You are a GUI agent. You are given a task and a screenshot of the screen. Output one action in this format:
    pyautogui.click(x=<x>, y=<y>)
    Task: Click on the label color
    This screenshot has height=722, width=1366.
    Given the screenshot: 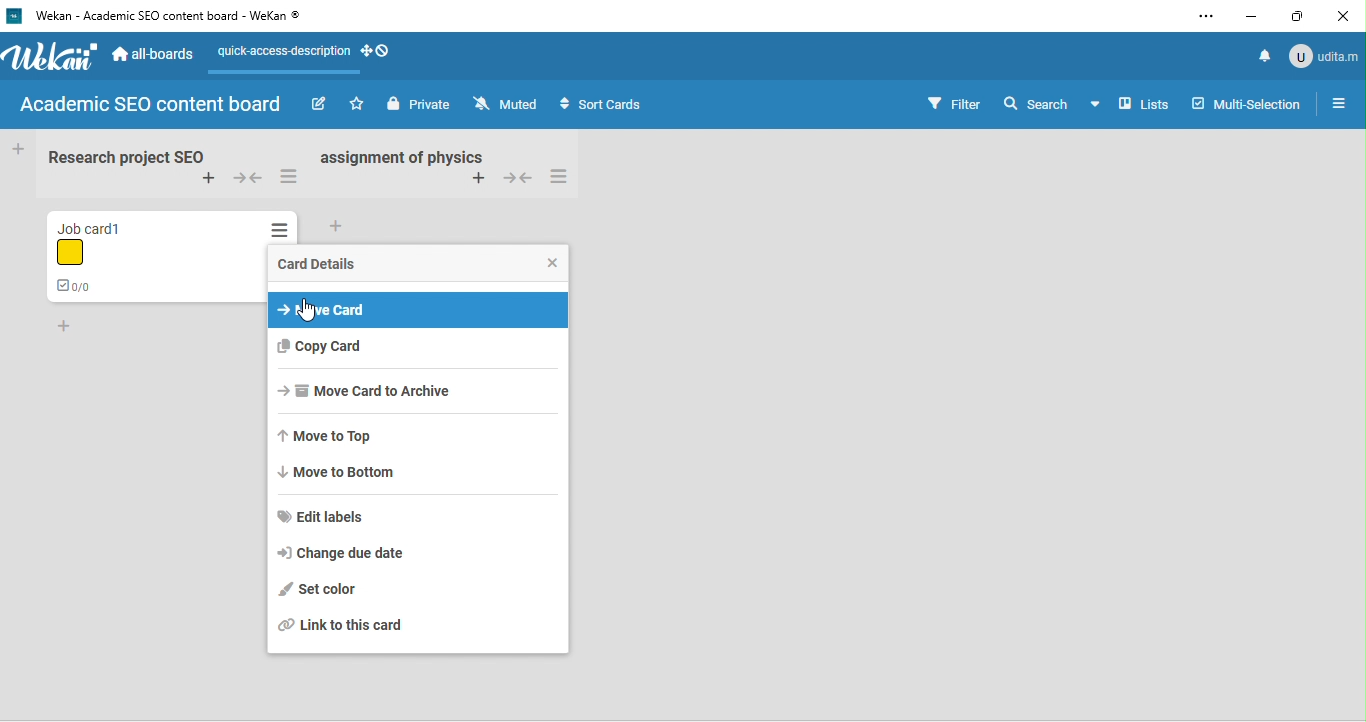 What is the action you would take?
    pyautogui.click(x=77, y=252)
    